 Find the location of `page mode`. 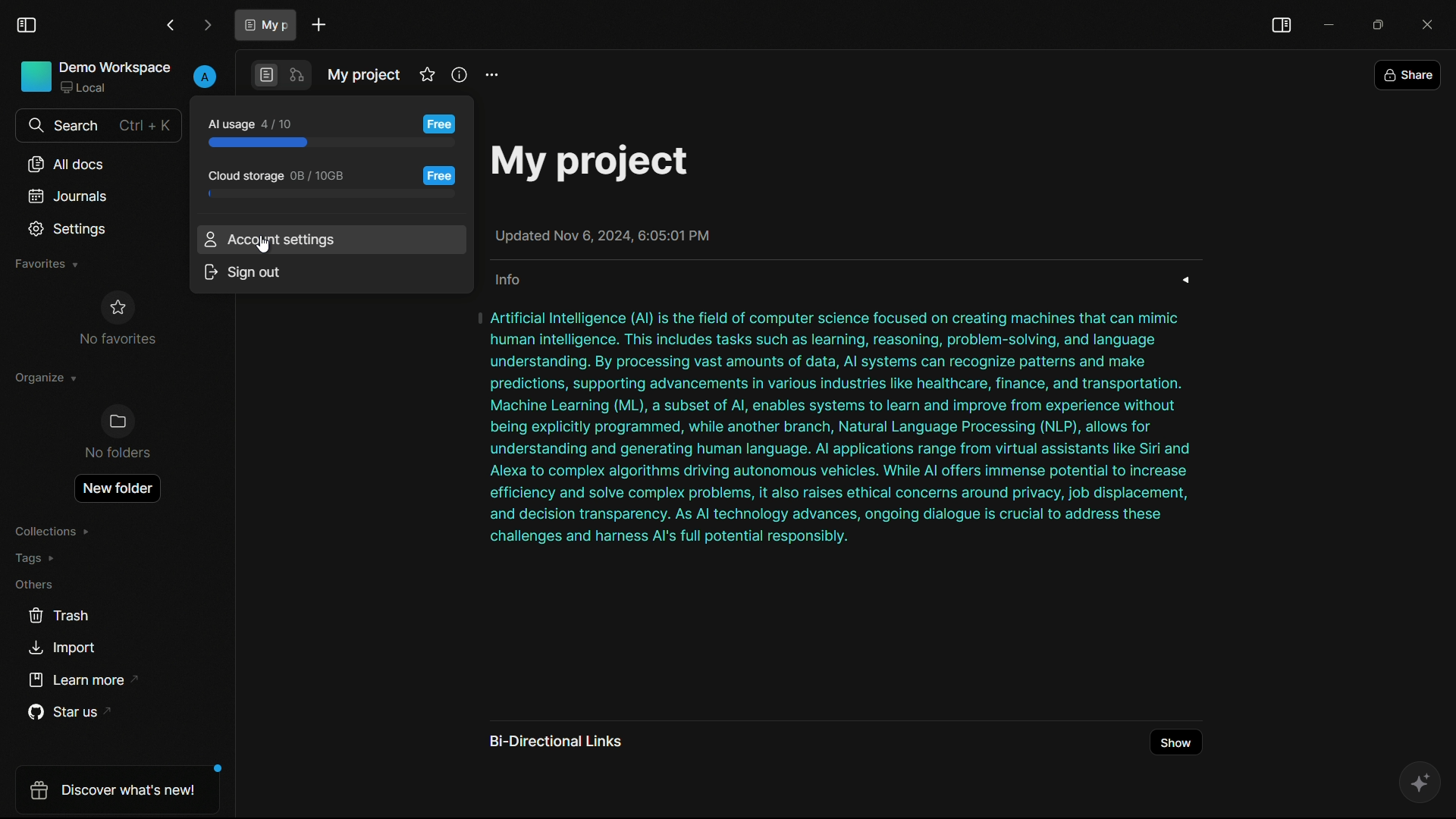

page mode is located at coordinates (267, 76).